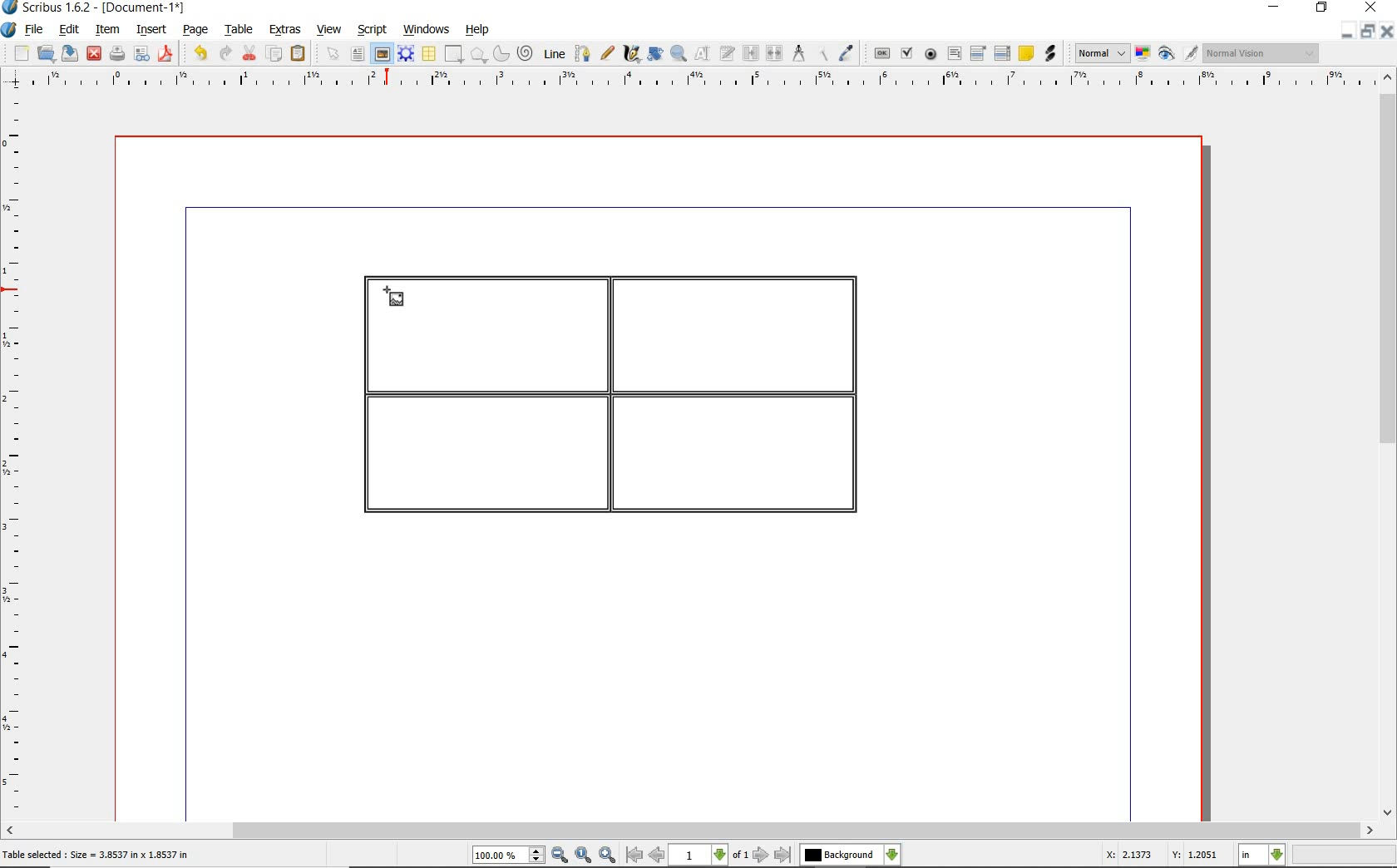 Image resolution: width=1397 pixels, height=868 pixels. I want to click on image, so click(382, 54).